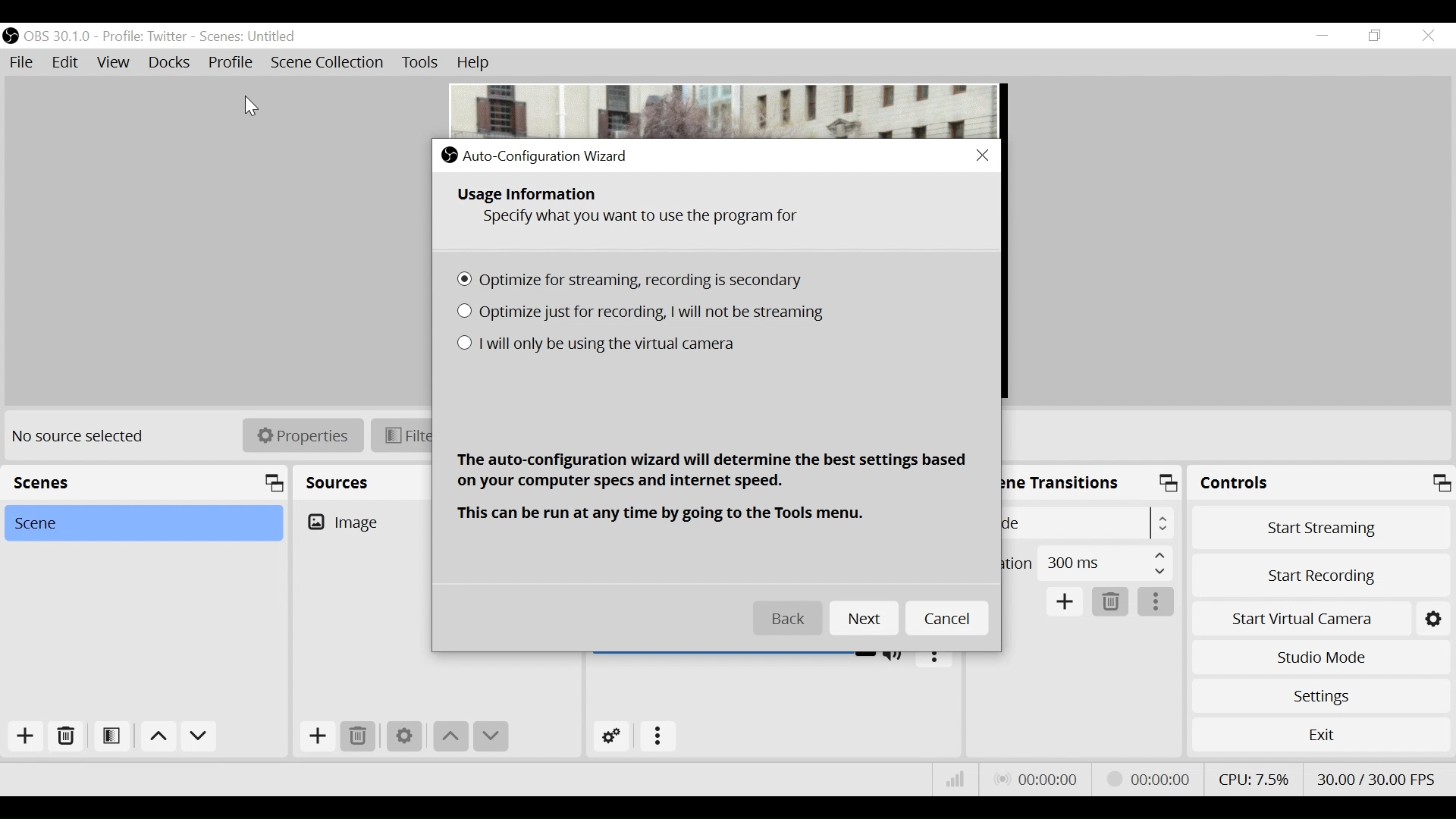 Image resolution: width=1456 pixels, height=819 pixels. What do you see at coordinates (789, 619) in the screenshot?
I see `Back` at bounding box center [789, 619].